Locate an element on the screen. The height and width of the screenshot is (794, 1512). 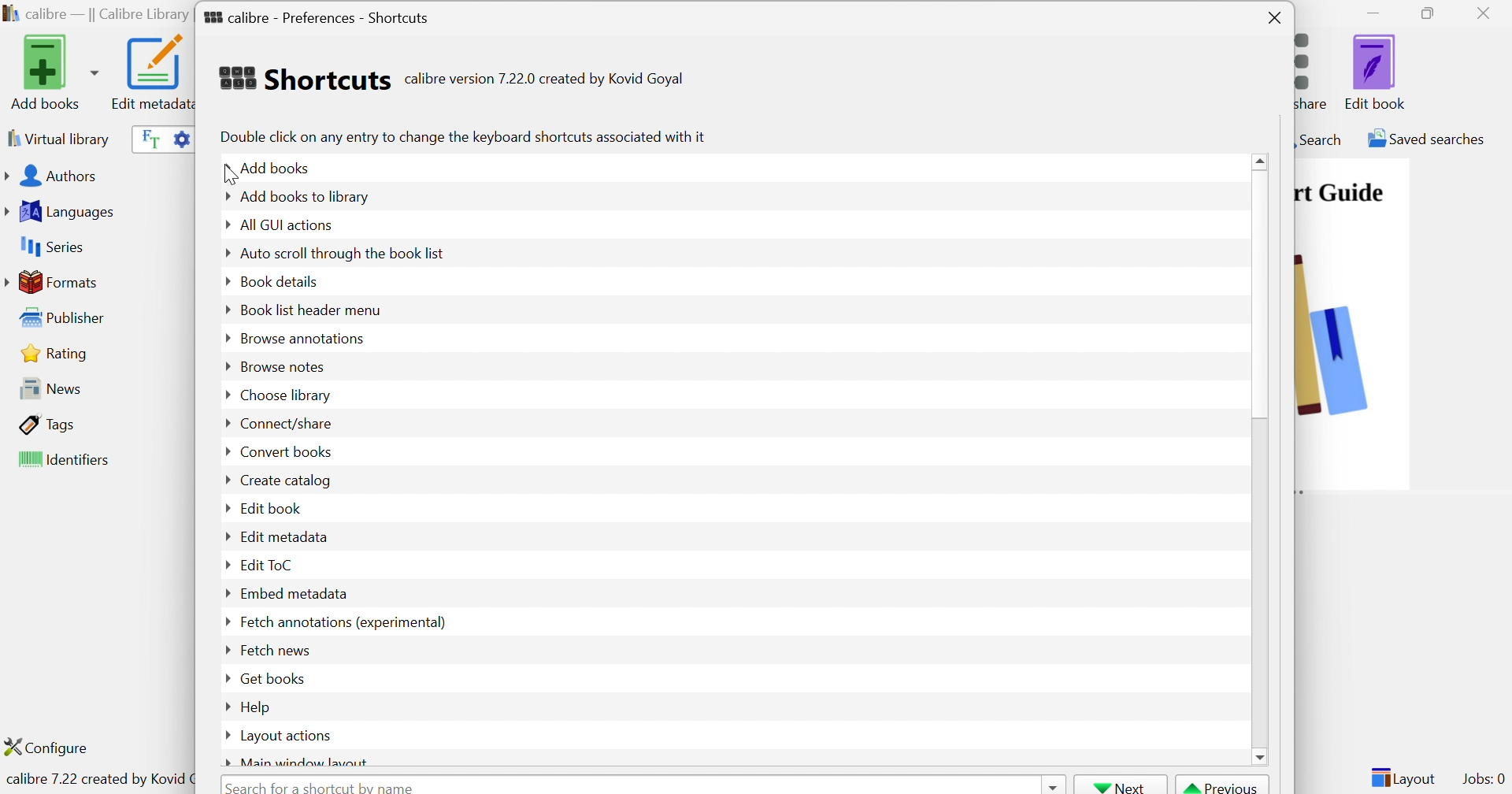
Search for a shortcut by name is located at coordinates (324, 785).